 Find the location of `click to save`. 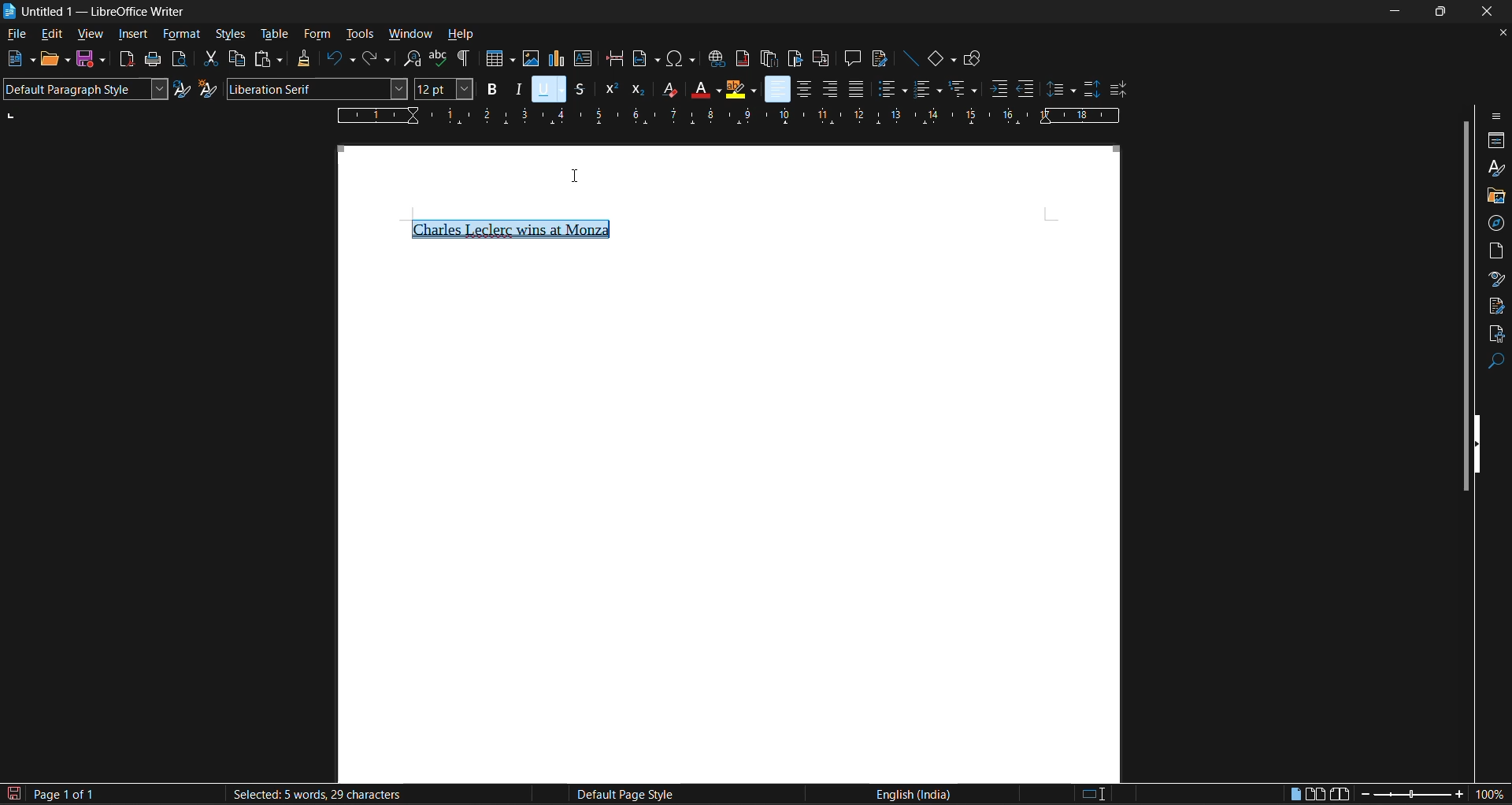

click to save is located at coordinates (16, 795).